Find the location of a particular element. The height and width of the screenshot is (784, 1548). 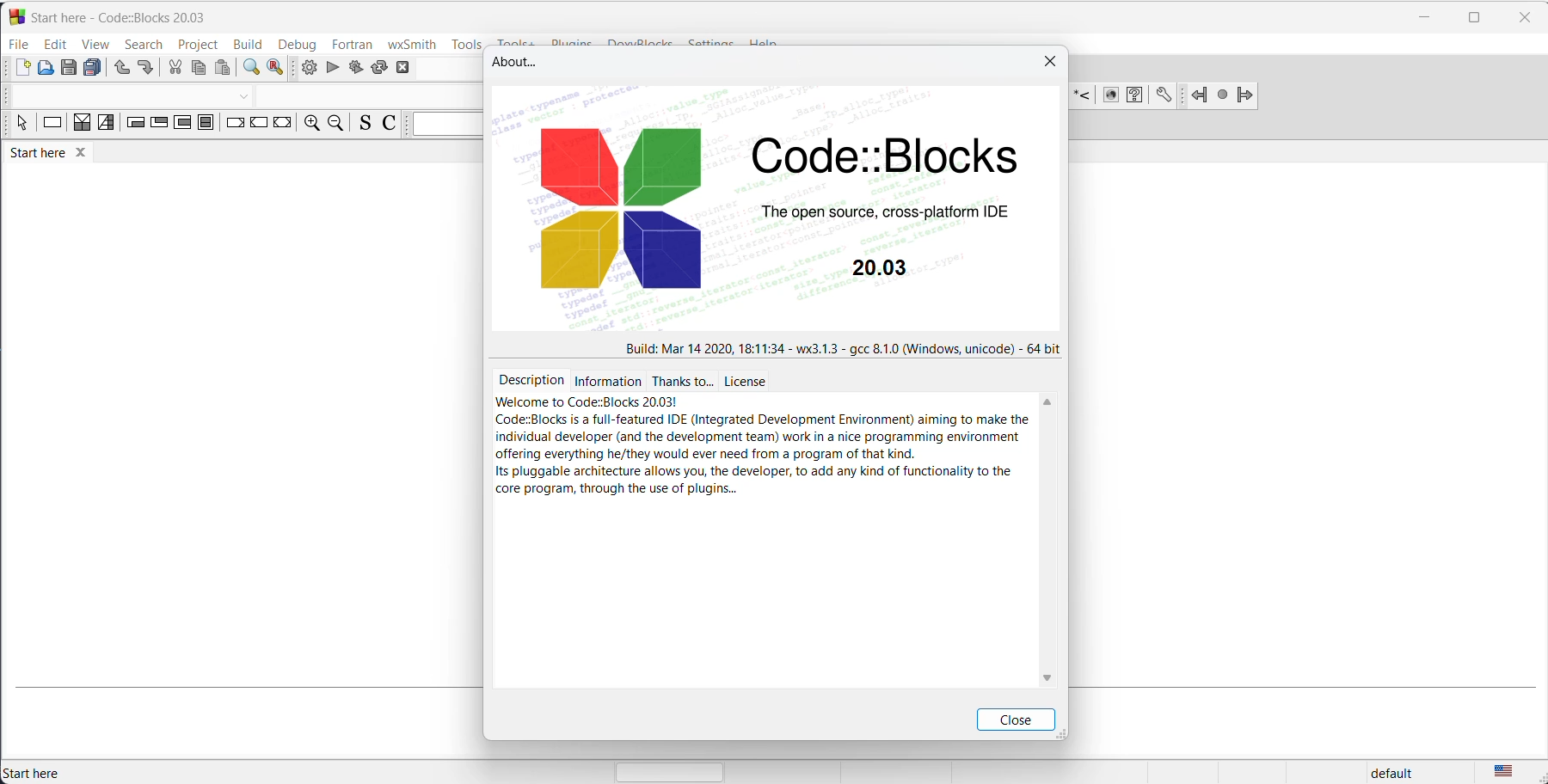

go back is located at coordinates (1195, 96).